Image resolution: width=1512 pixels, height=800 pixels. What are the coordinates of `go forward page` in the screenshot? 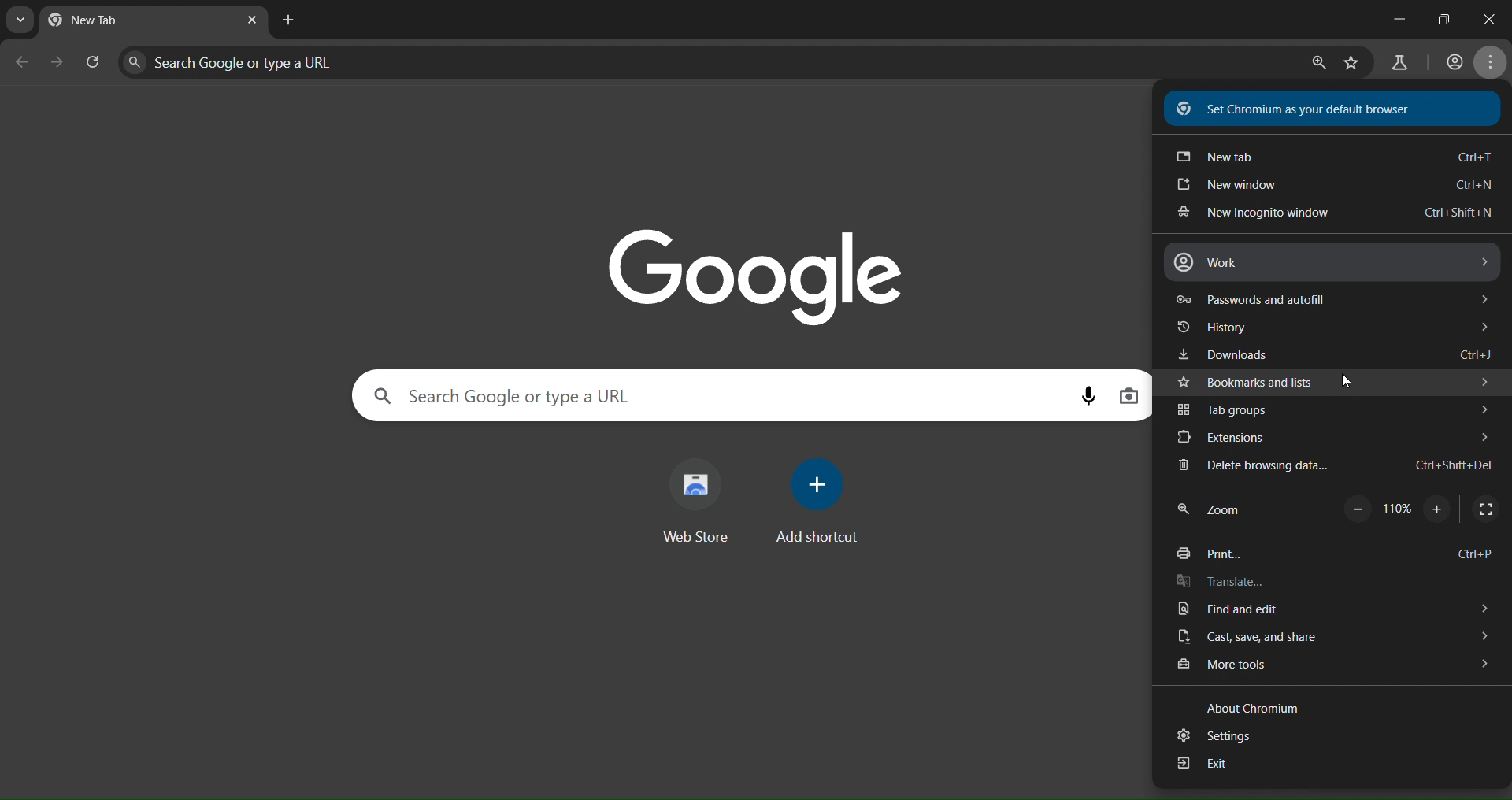 It's located at (61, 61).